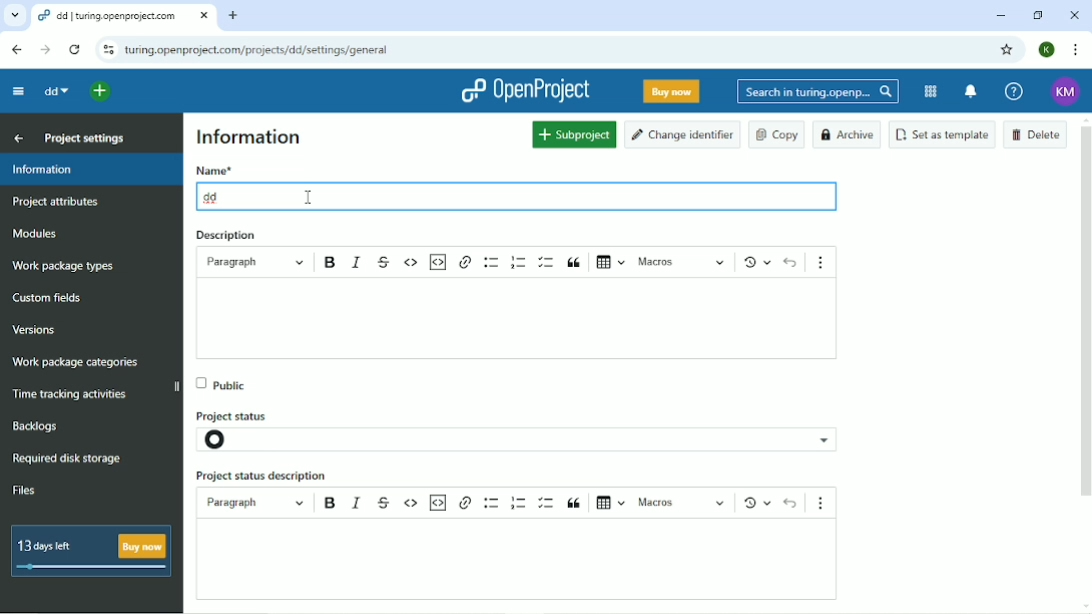  Describe the element at coordinates (574, 134) in the screenshot. I see `Subproject` at that location.